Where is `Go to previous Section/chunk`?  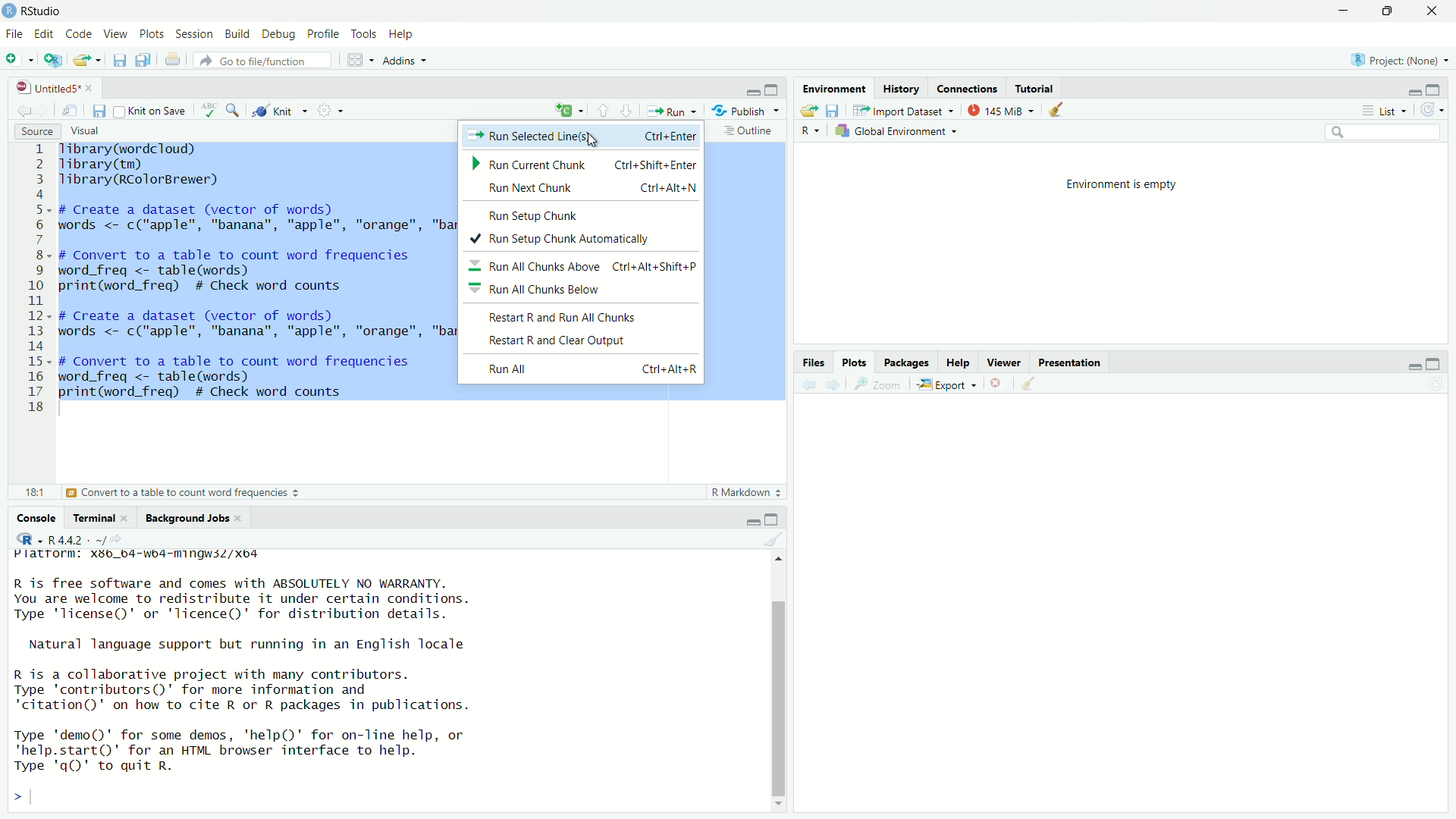
Go to previous Section/chunk is located at coordinates (605, 112).